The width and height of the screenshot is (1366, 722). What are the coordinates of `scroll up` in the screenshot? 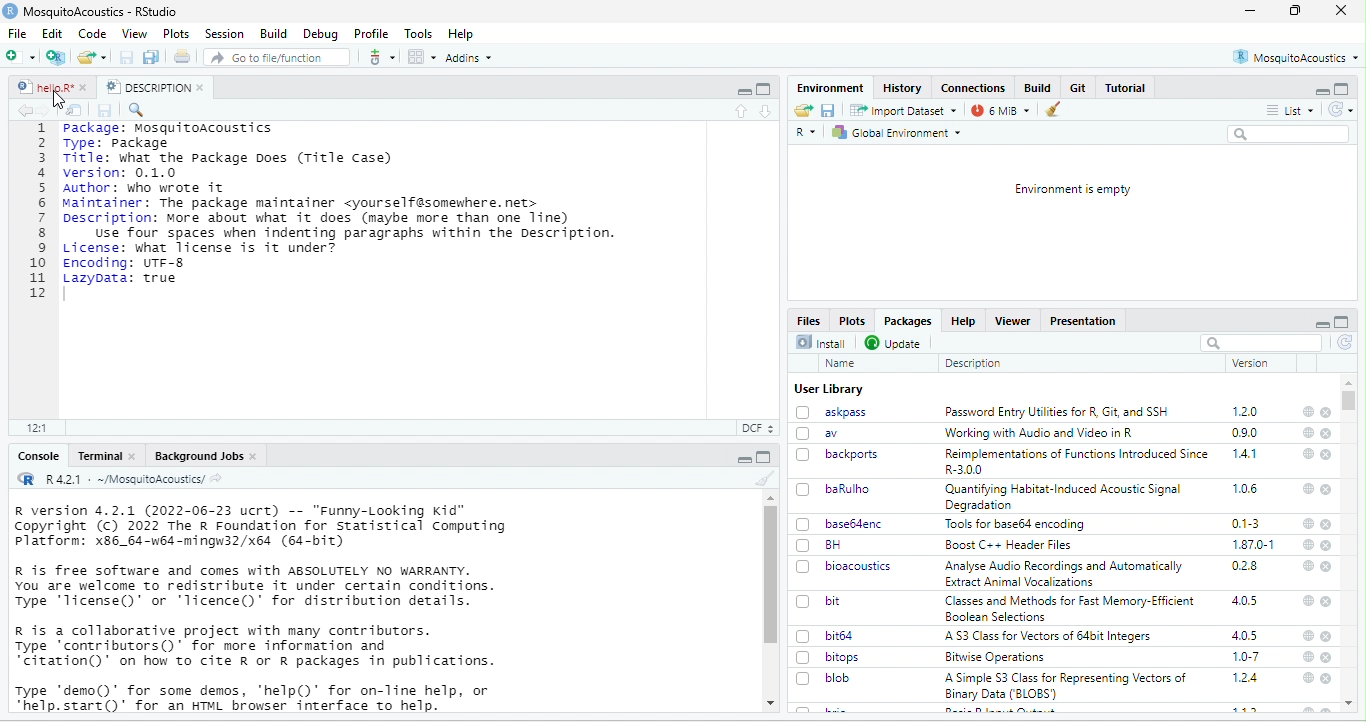 It's located at (769, 498).